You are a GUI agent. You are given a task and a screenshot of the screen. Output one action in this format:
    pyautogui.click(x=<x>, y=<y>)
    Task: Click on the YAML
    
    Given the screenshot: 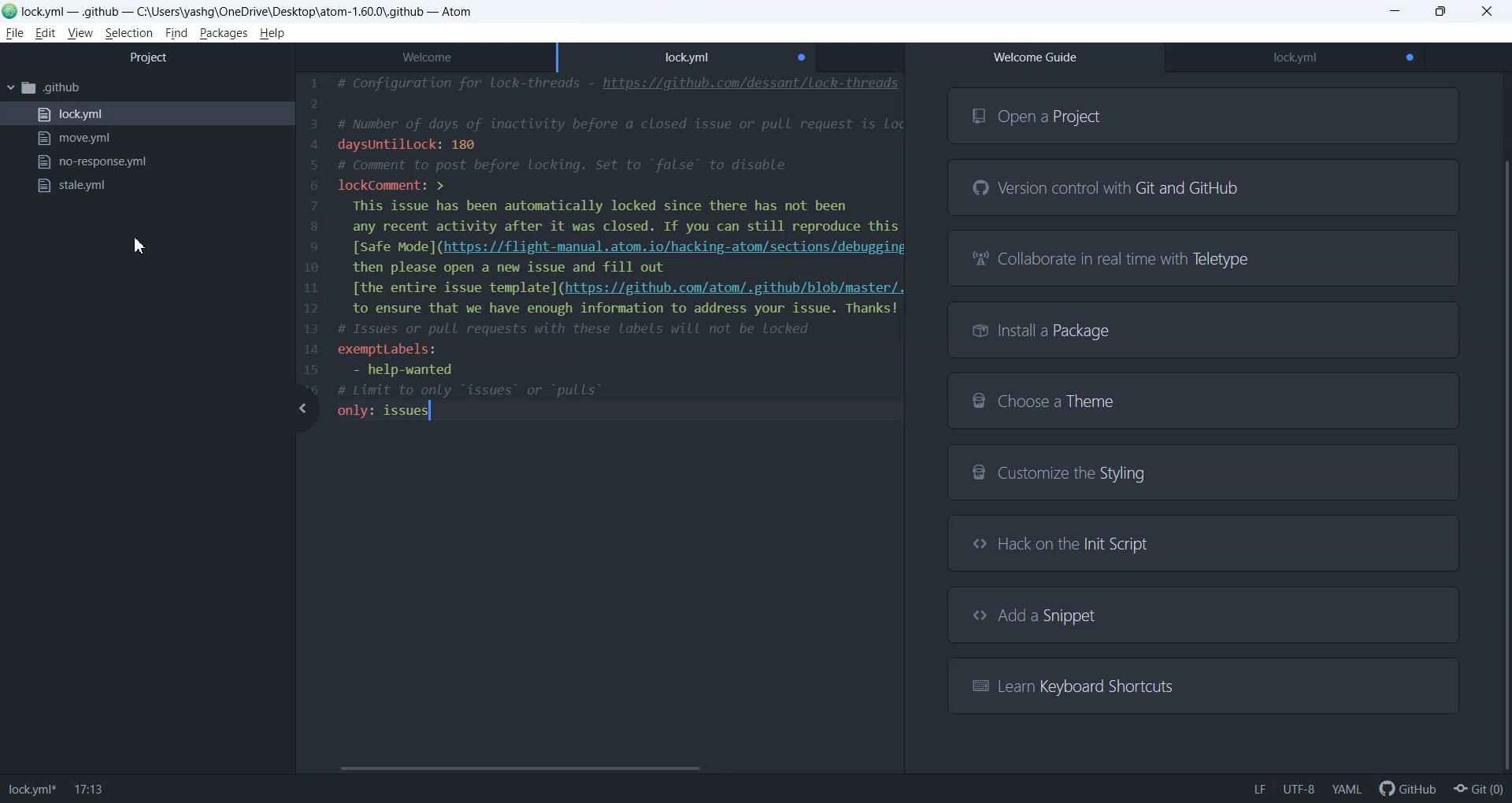 What is the action you would take?
    pyautogui.click(x=1346, y=789)
    